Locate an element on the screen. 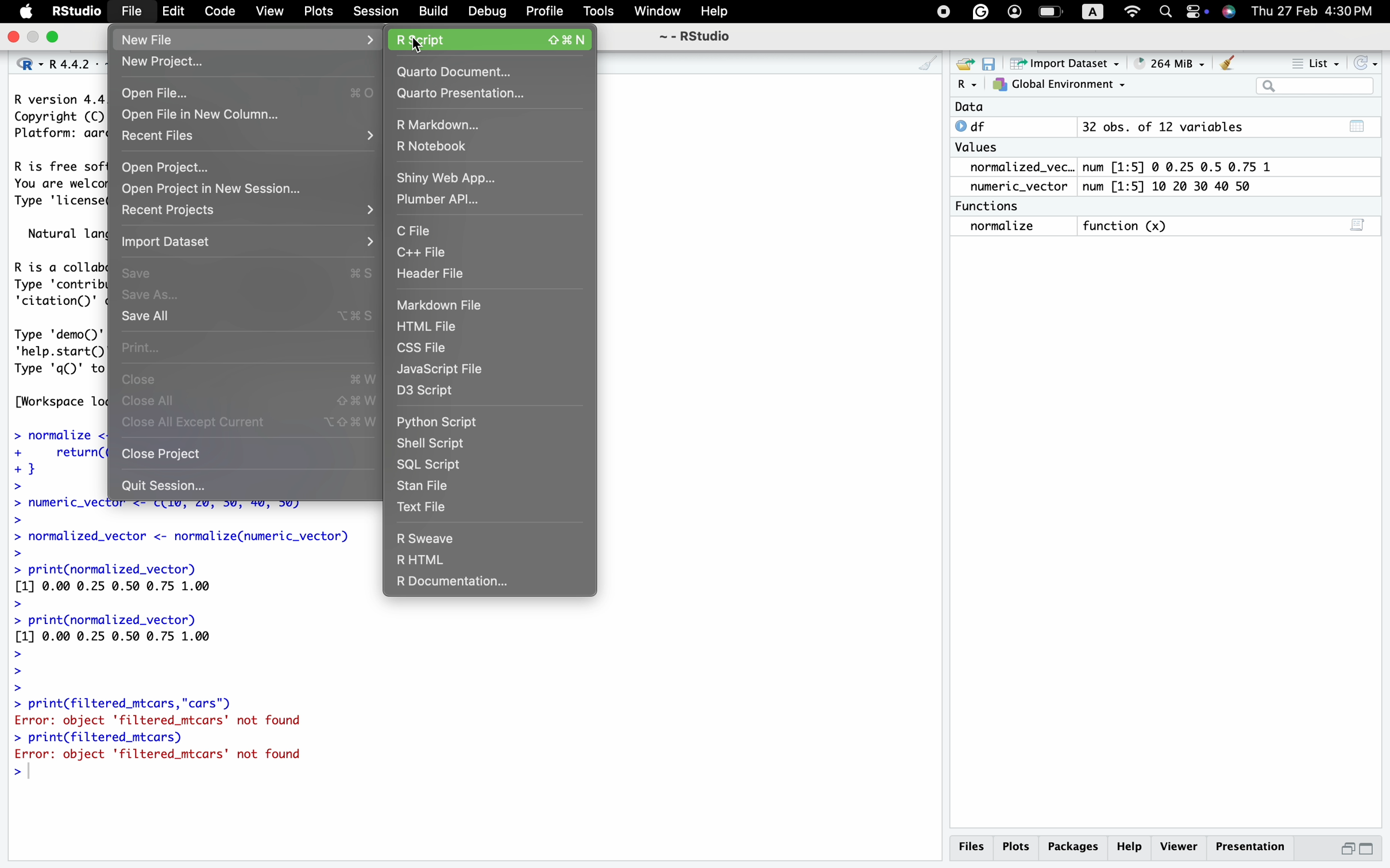 The width and height of the screenshot is (1390, 868). window is located at coordinates (656, 10).